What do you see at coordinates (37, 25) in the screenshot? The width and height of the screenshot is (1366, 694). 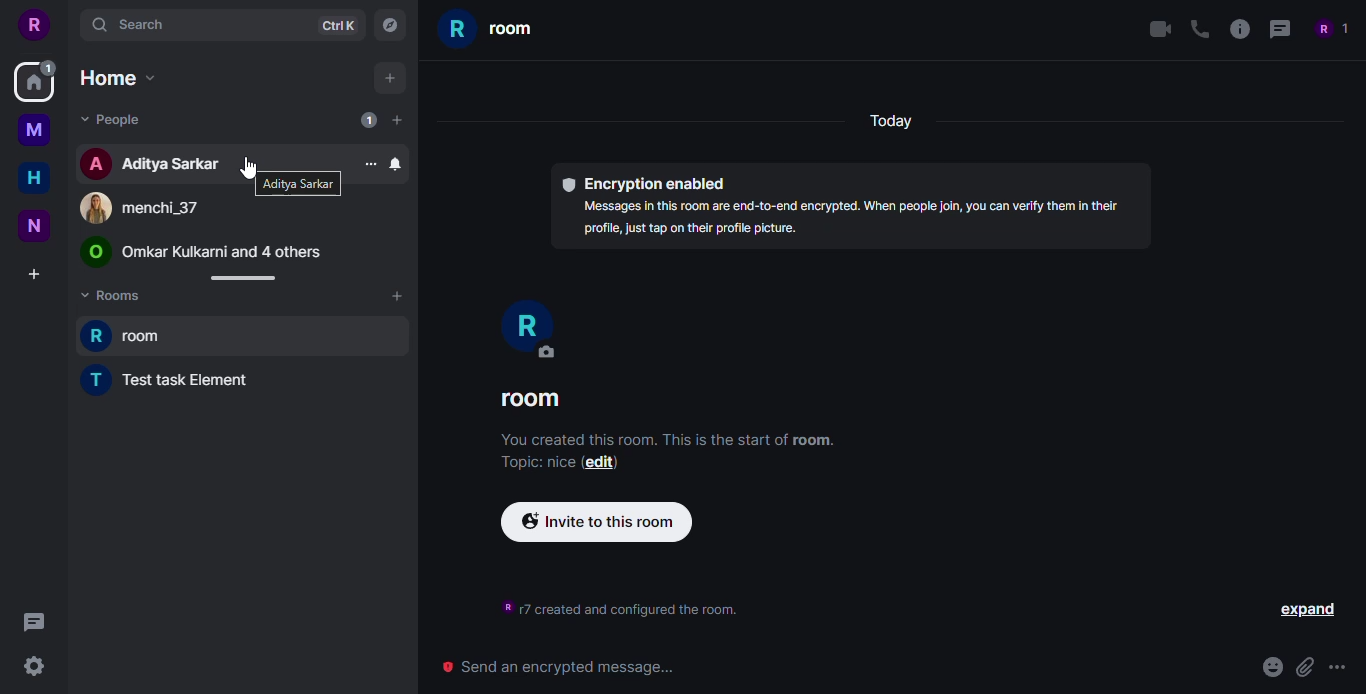 I see `profile` at bounding box center [37, 25].